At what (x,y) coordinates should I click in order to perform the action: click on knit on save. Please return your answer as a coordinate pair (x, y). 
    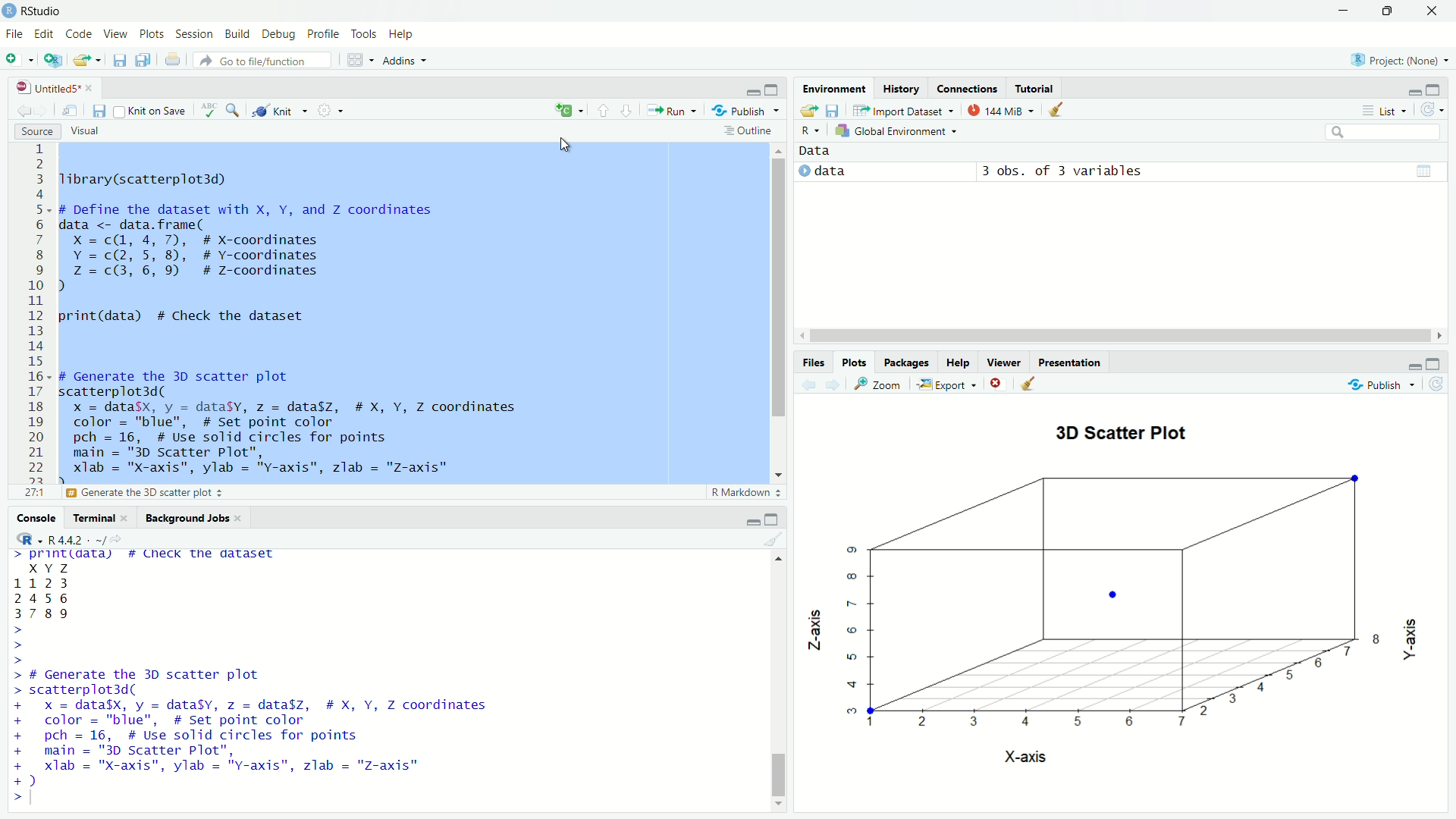
    Looking at the image, I should click on (149, 111).